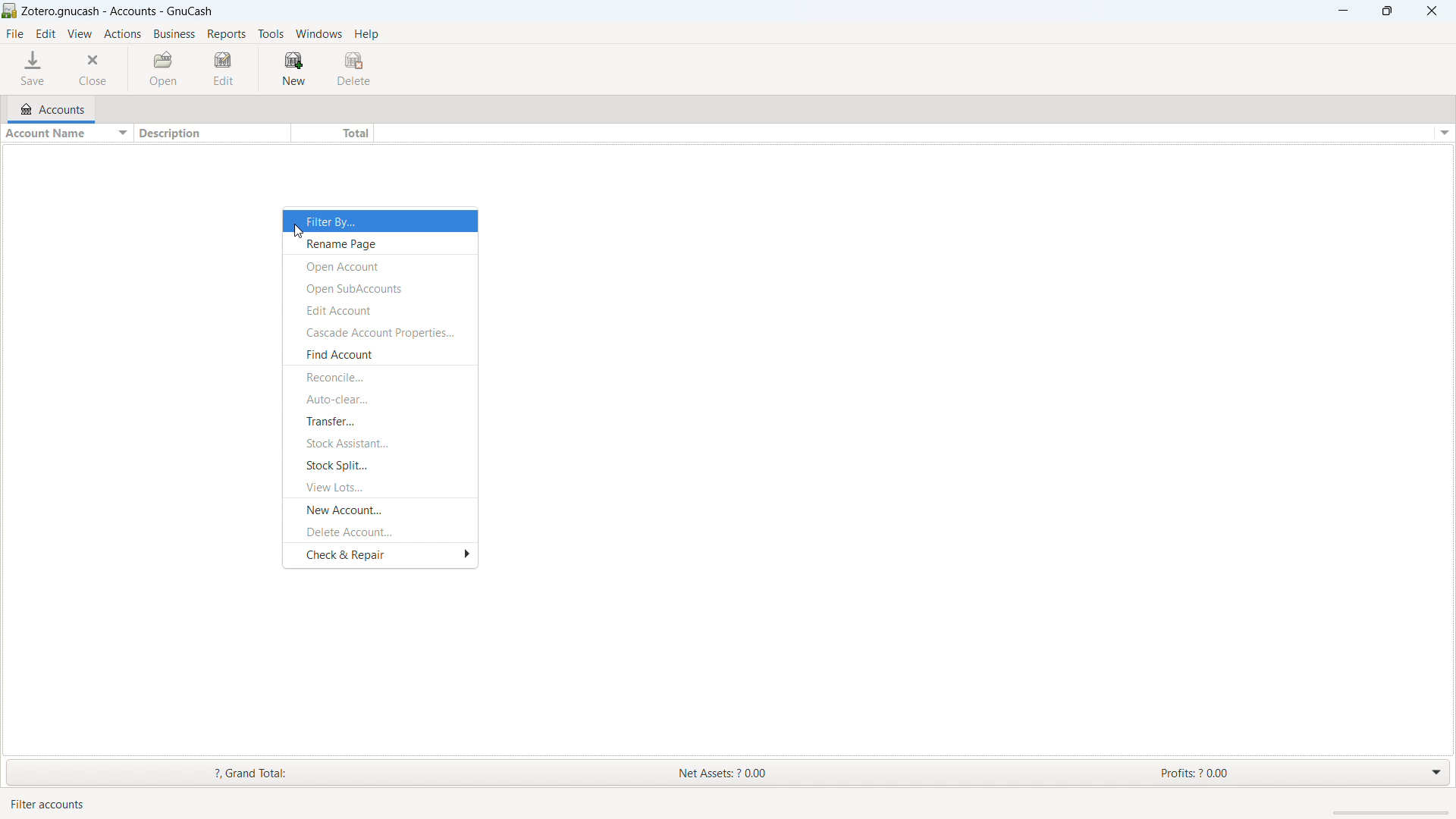 This screenshot has height=819, width=1456. What do you see at coordinates (208, 133) in the screenshot?
I see `description` at bounding box center [208, 133].